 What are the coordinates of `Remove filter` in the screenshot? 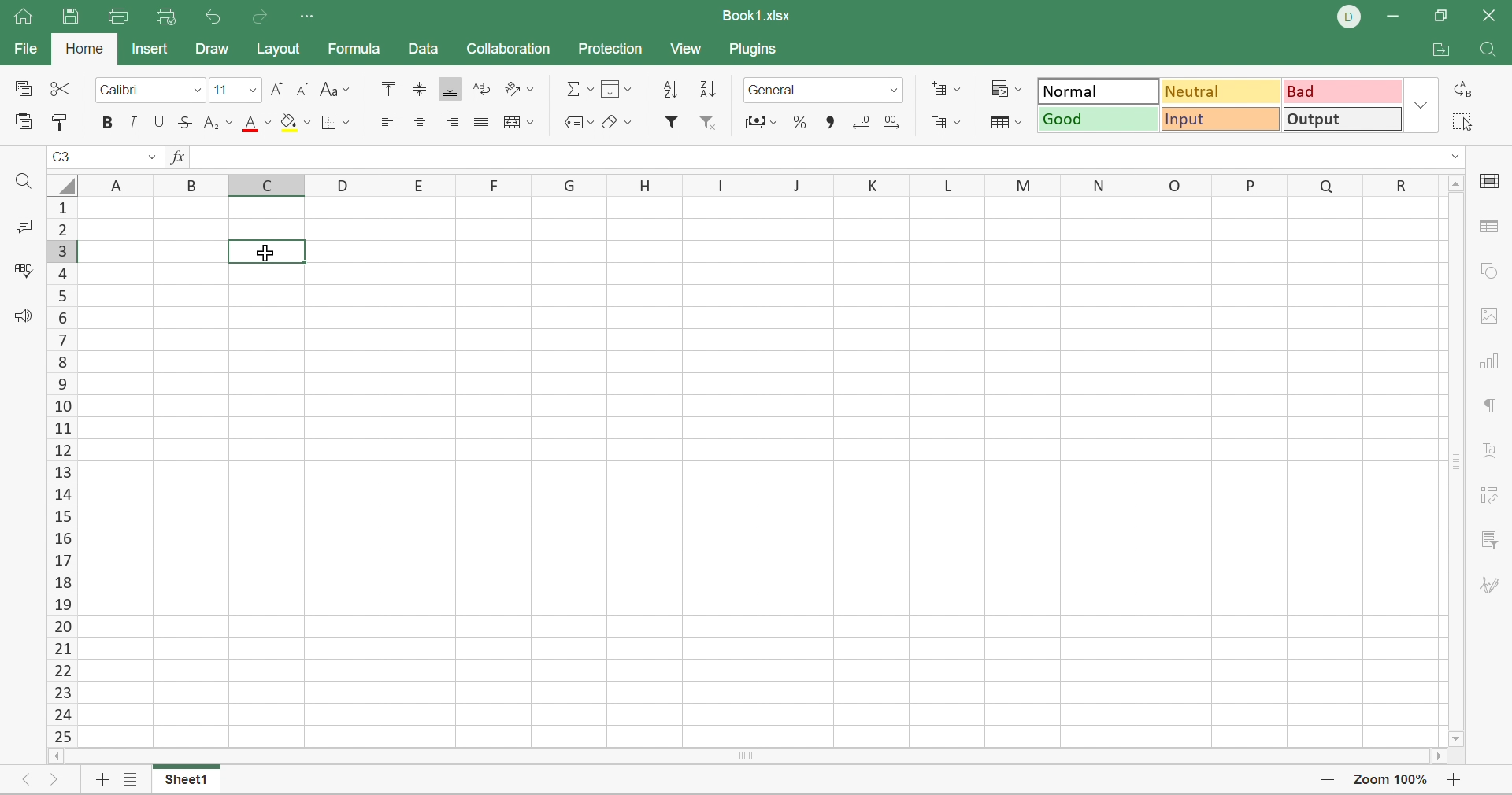 It's located at (710, 121).